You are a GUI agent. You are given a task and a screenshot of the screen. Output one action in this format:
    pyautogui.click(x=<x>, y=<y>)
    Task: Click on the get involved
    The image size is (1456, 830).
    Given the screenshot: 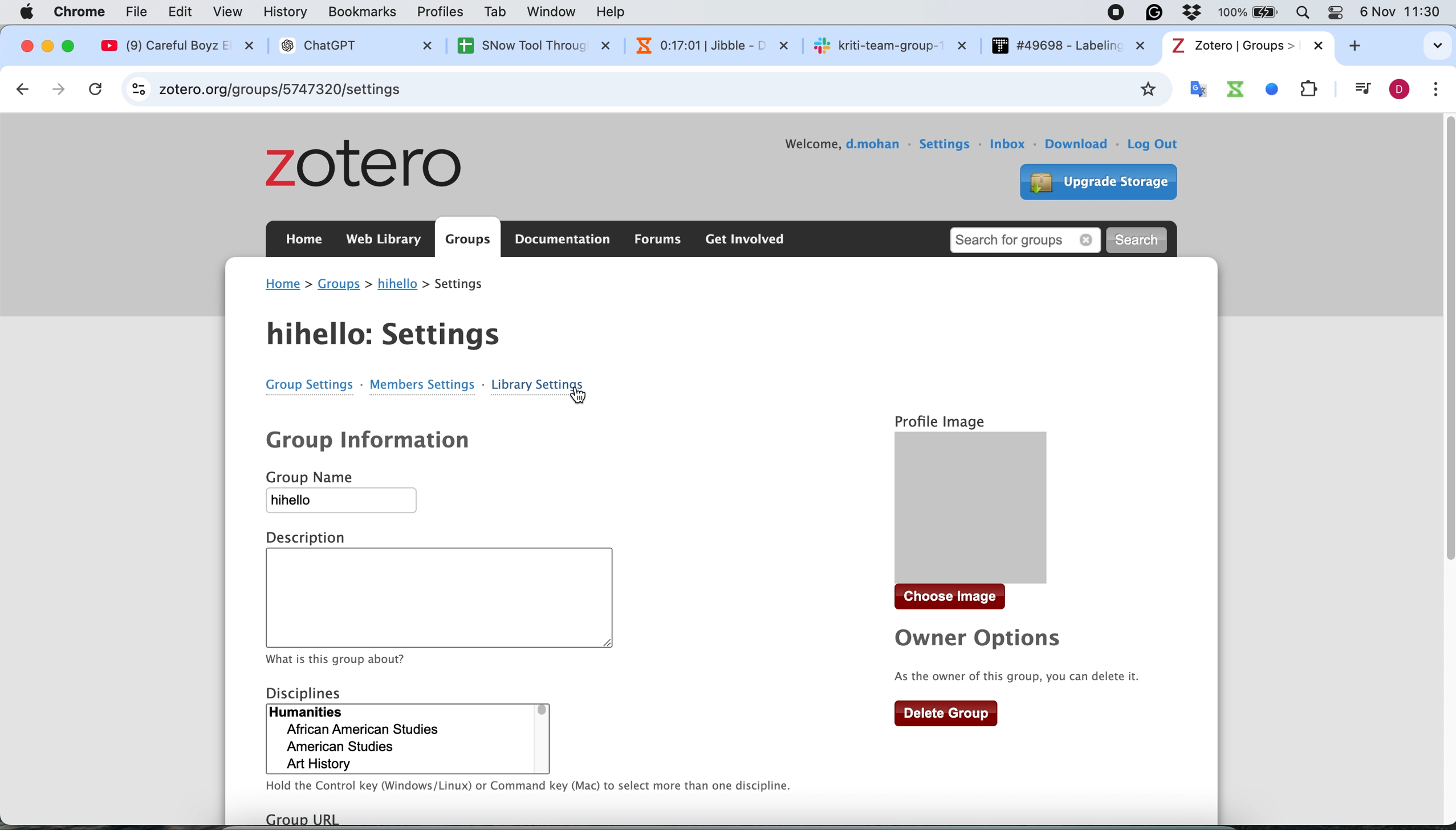 What is the action you would take?
    pyautogui.click(x=744, y=240)
    